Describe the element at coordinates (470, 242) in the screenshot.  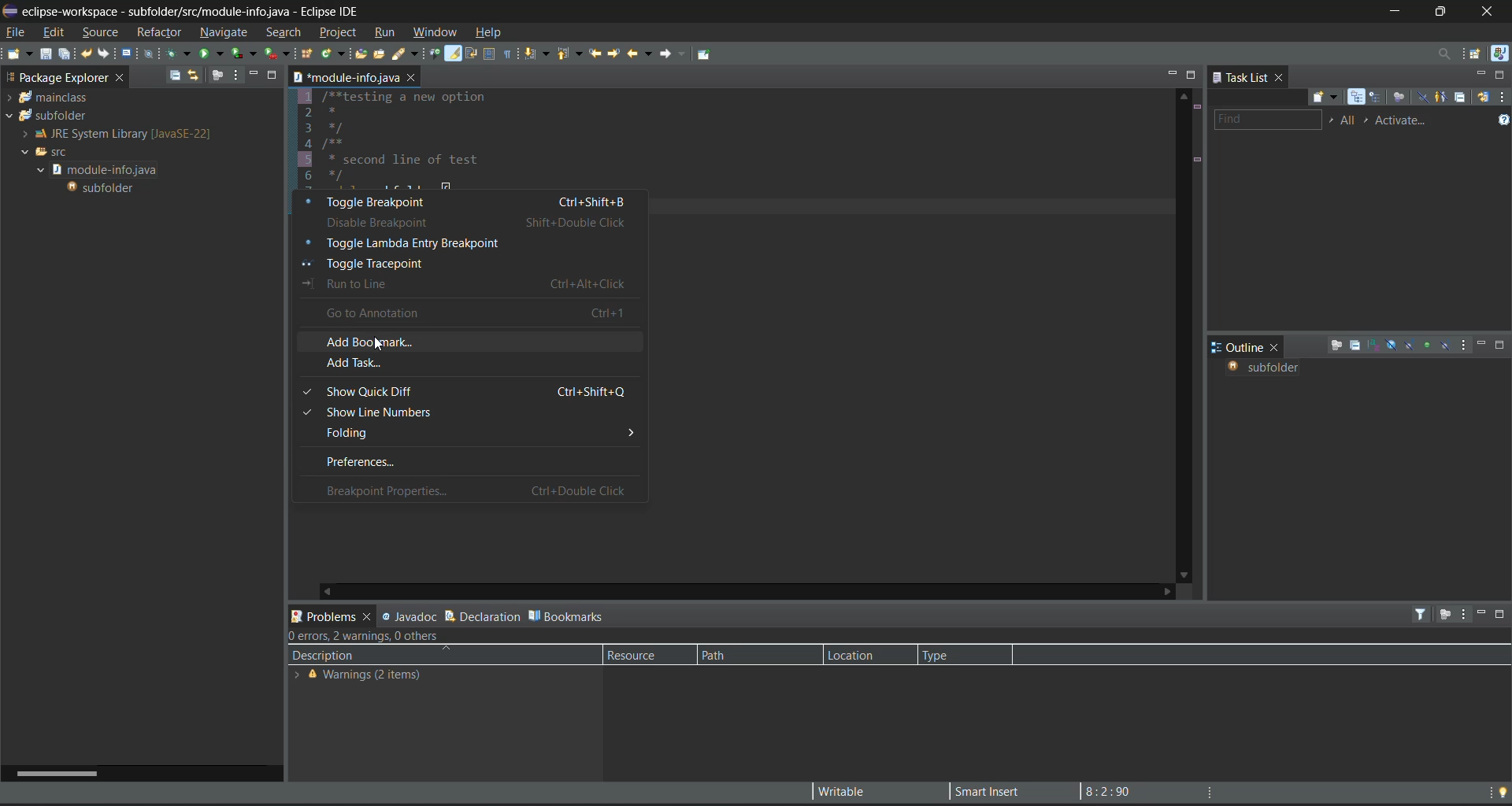
I see `toggle lambda entry breakpoint` at that location.